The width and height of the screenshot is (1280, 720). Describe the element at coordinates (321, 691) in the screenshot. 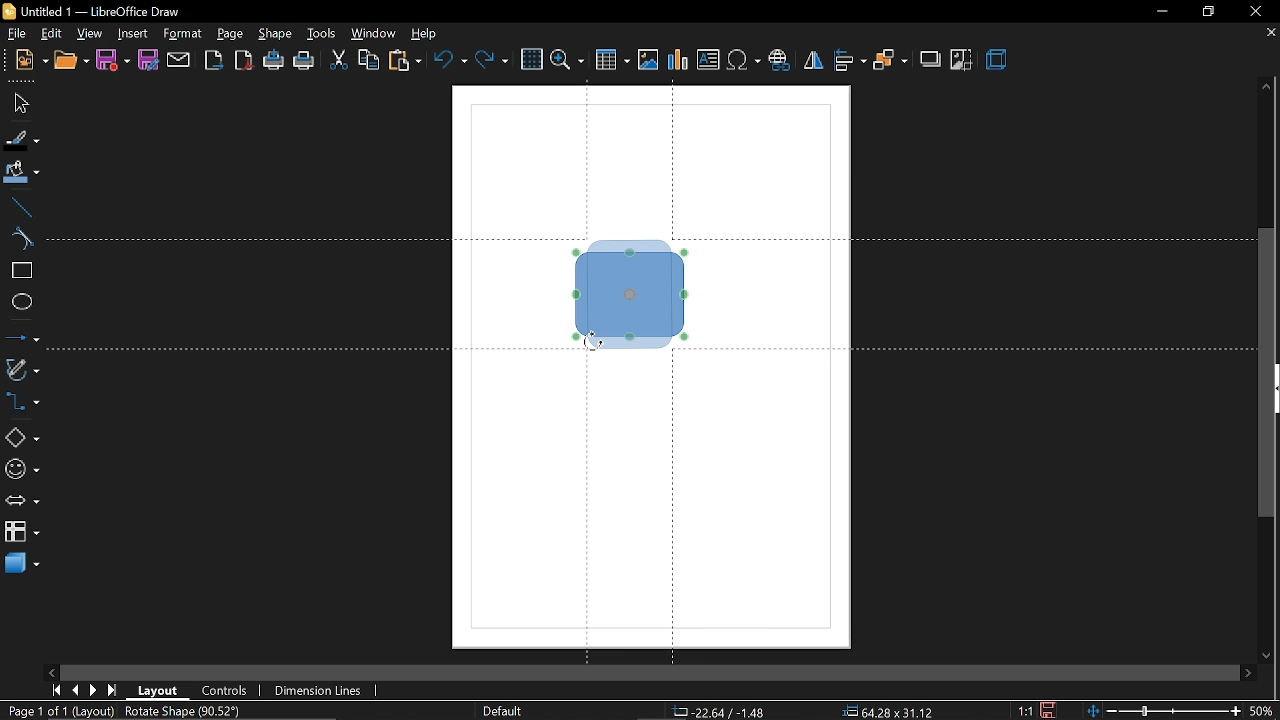

I see `dimension lines` at that location.